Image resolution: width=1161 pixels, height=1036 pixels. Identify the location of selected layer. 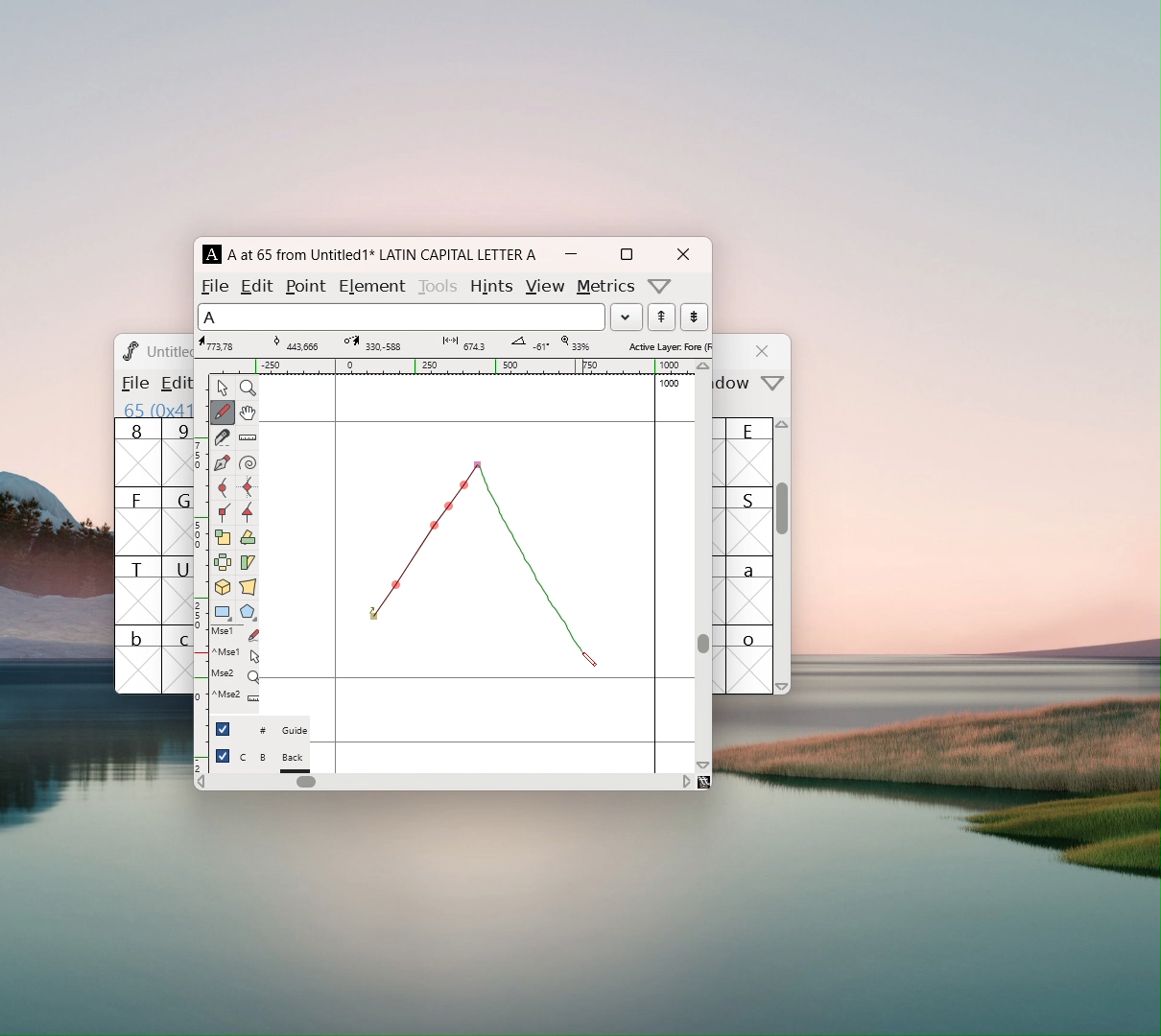
(667, 345).